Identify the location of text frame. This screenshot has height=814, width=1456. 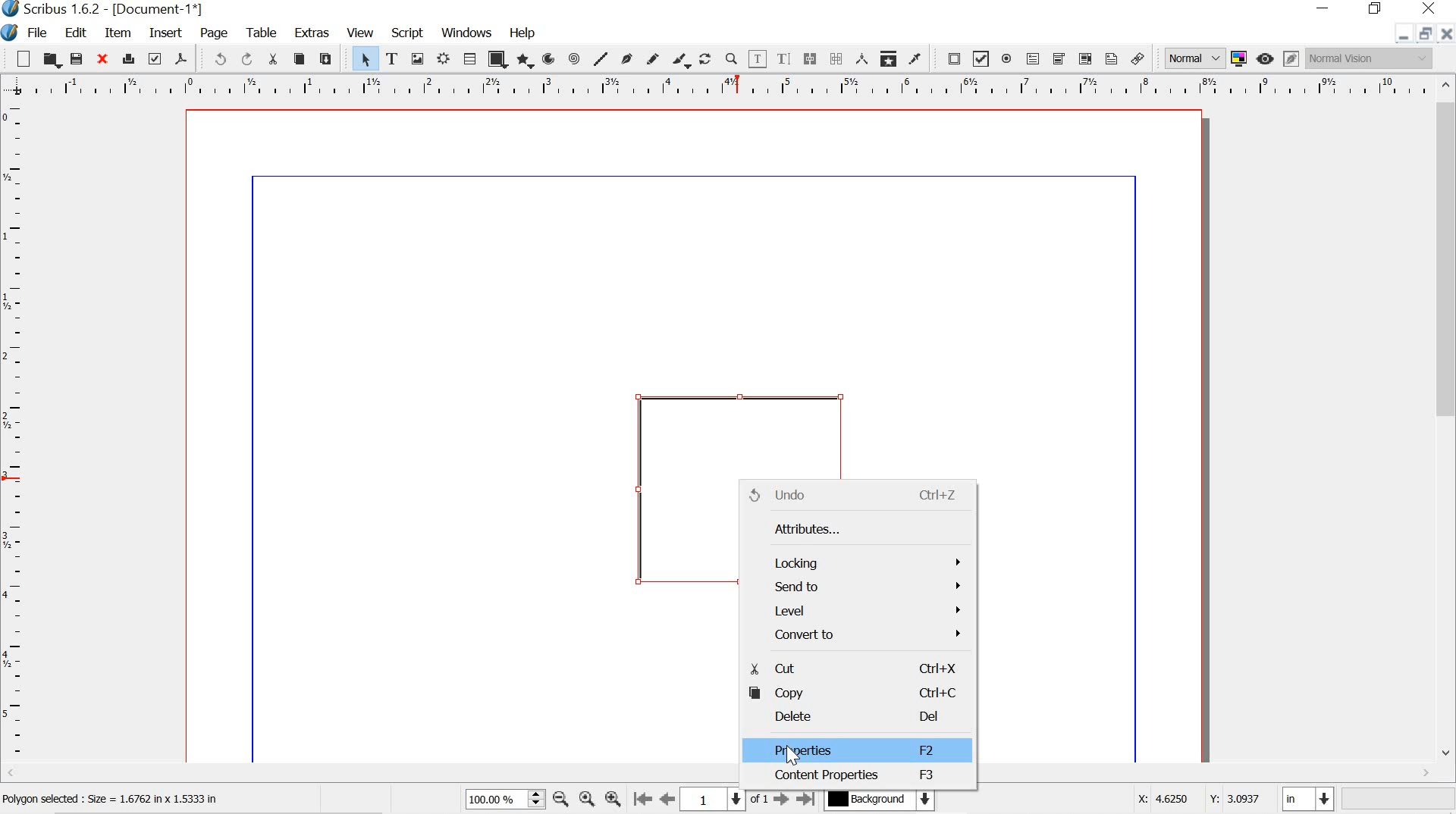
(392, 58).